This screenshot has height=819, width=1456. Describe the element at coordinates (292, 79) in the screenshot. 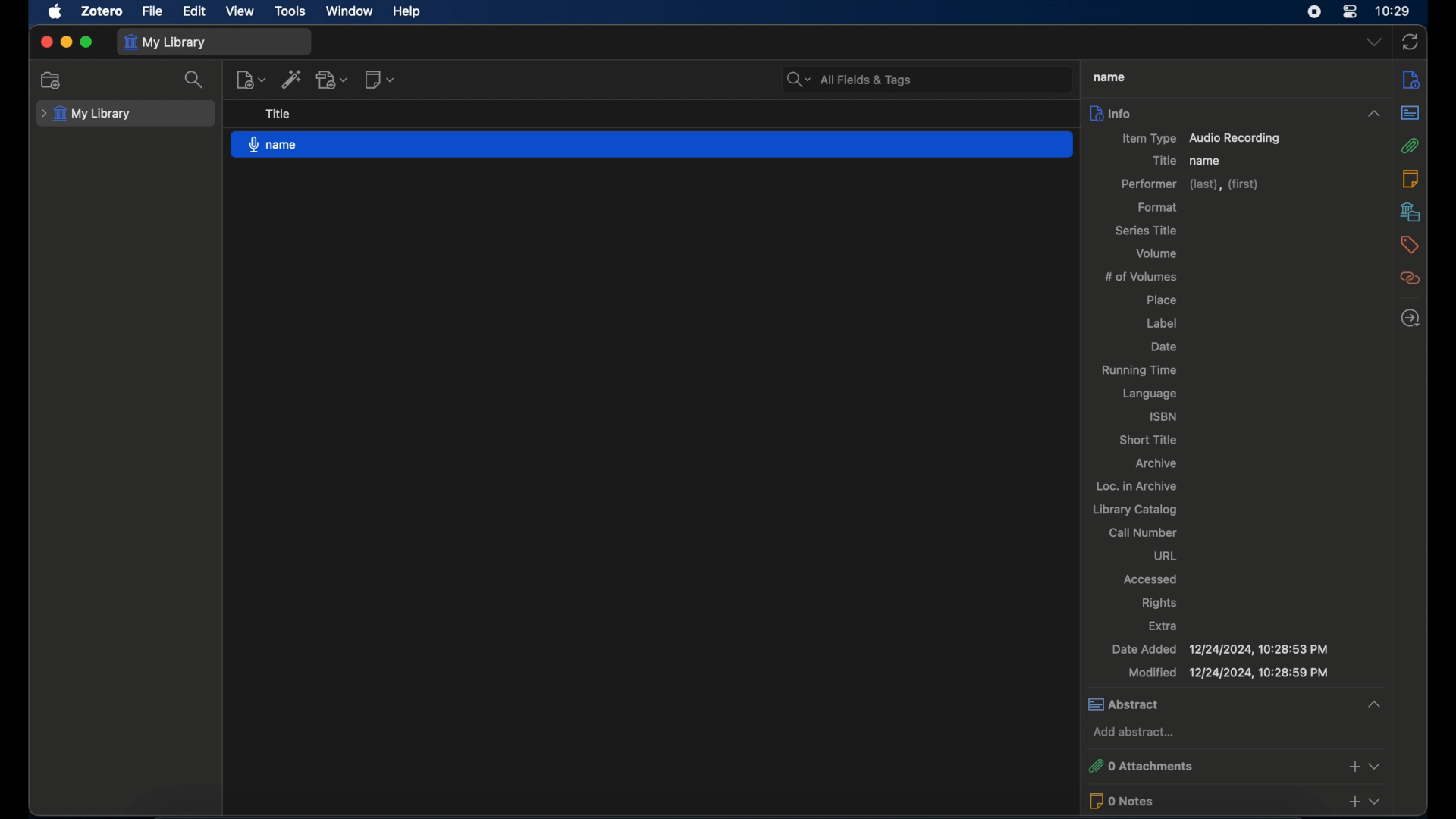

I see `add item by identifier` at that location.